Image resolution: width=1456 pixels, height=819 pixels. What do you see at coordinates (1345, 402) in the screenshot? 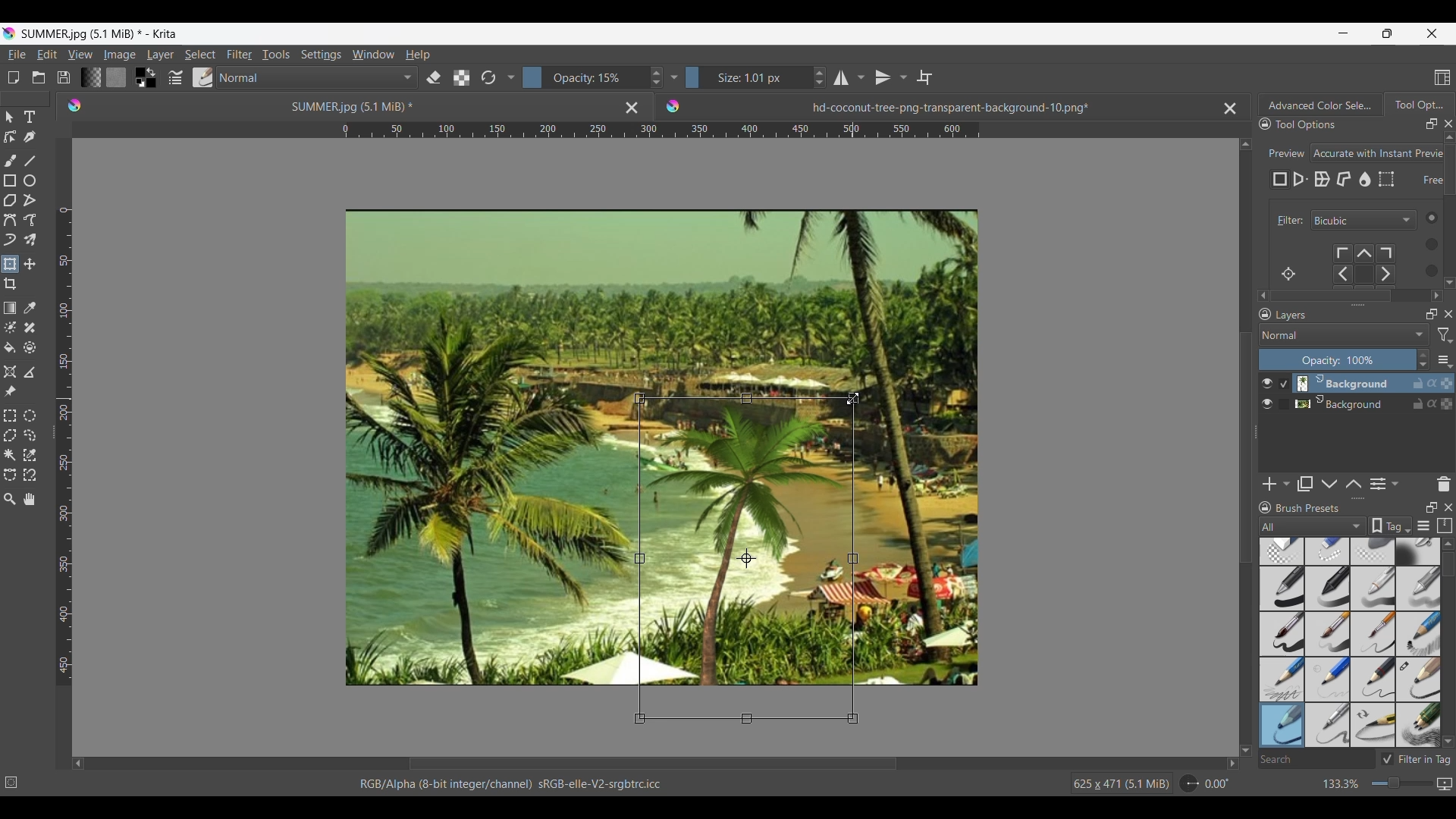
I see `Background` at bounding box center [1345, 402].